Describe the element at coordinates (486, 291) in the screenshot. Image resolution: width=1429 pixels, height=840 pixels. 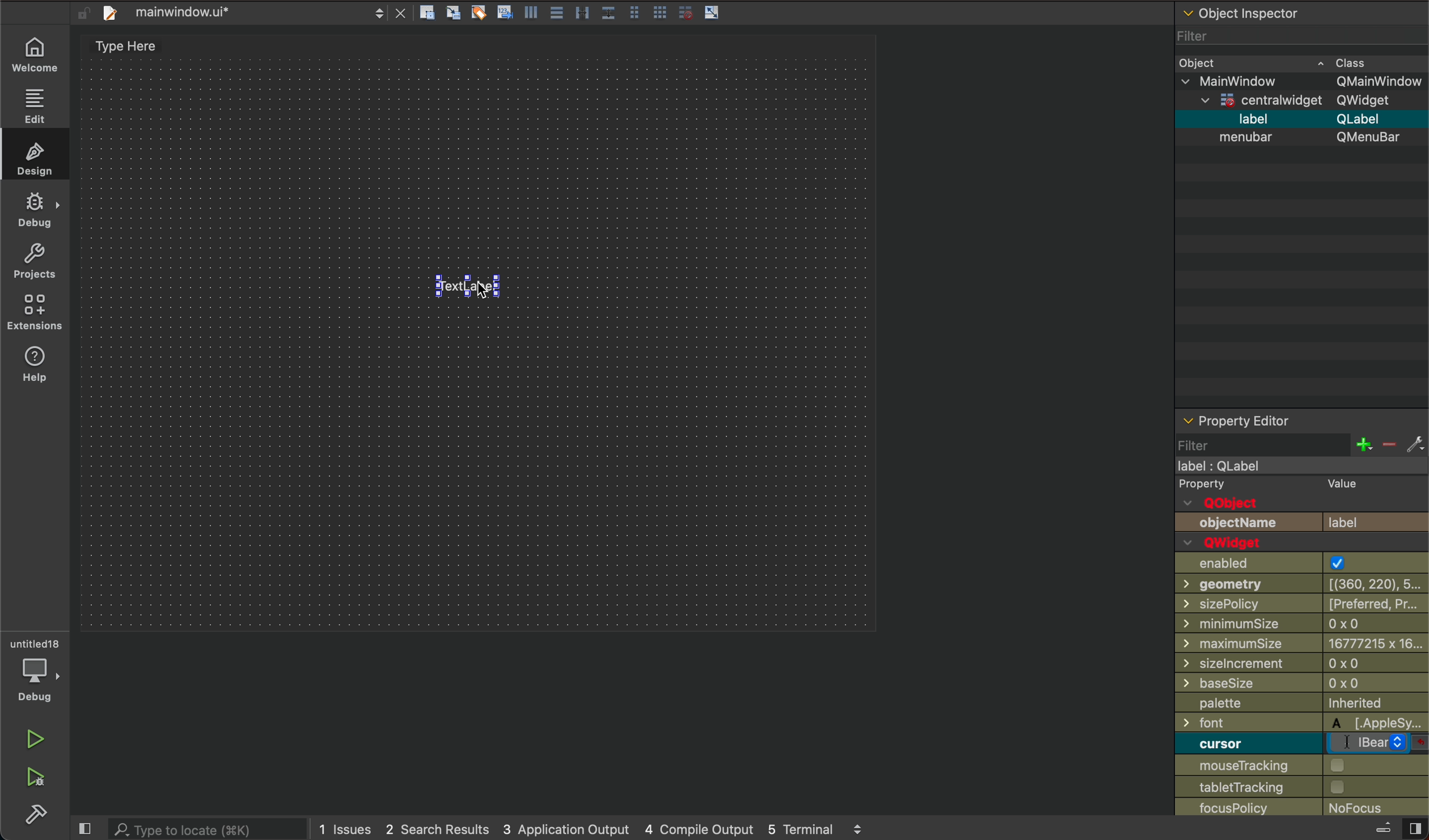
I see `cursor` at that location.